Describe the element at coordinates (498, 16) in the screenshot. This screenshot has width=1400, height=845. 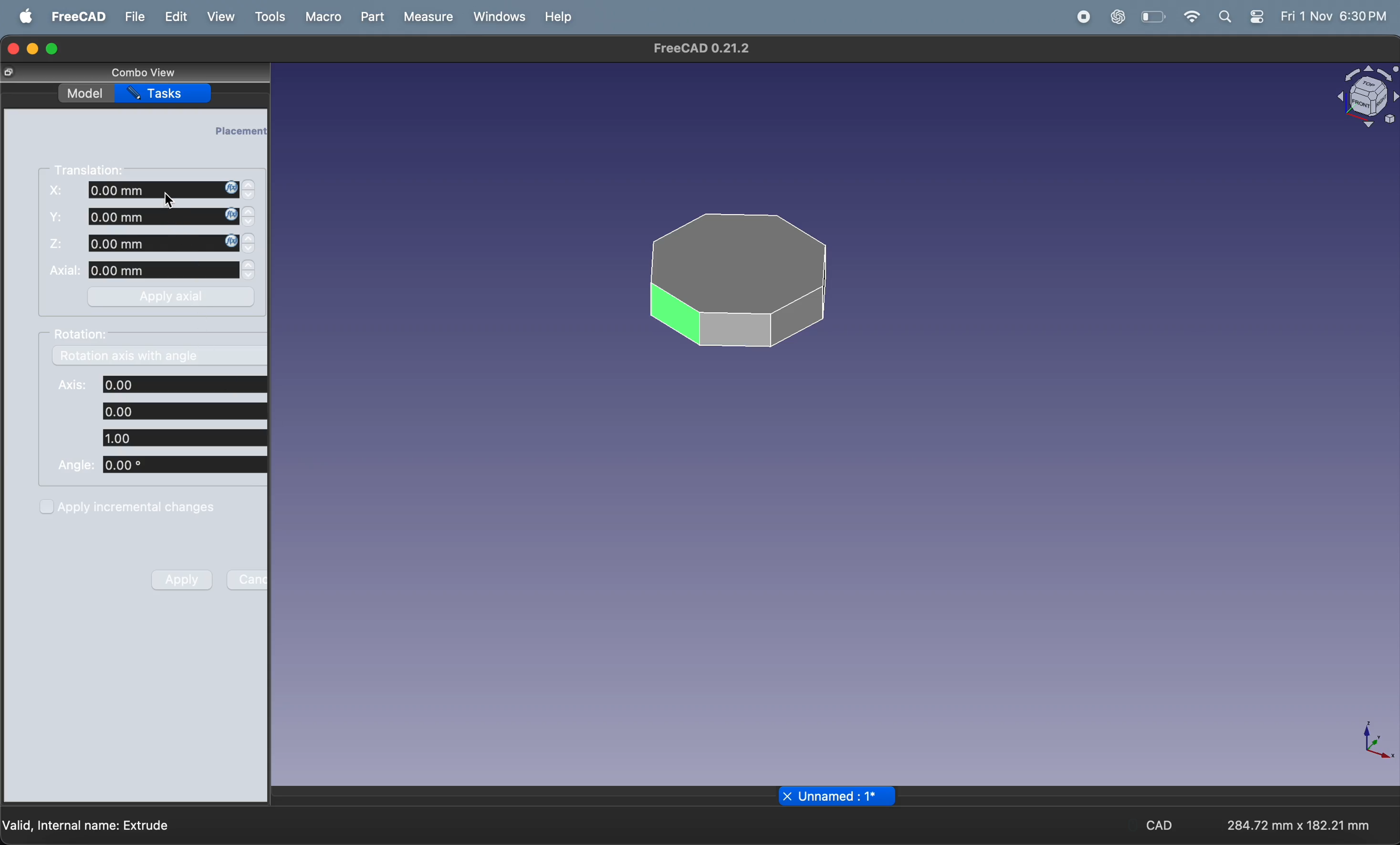
I see `windows` at that location.